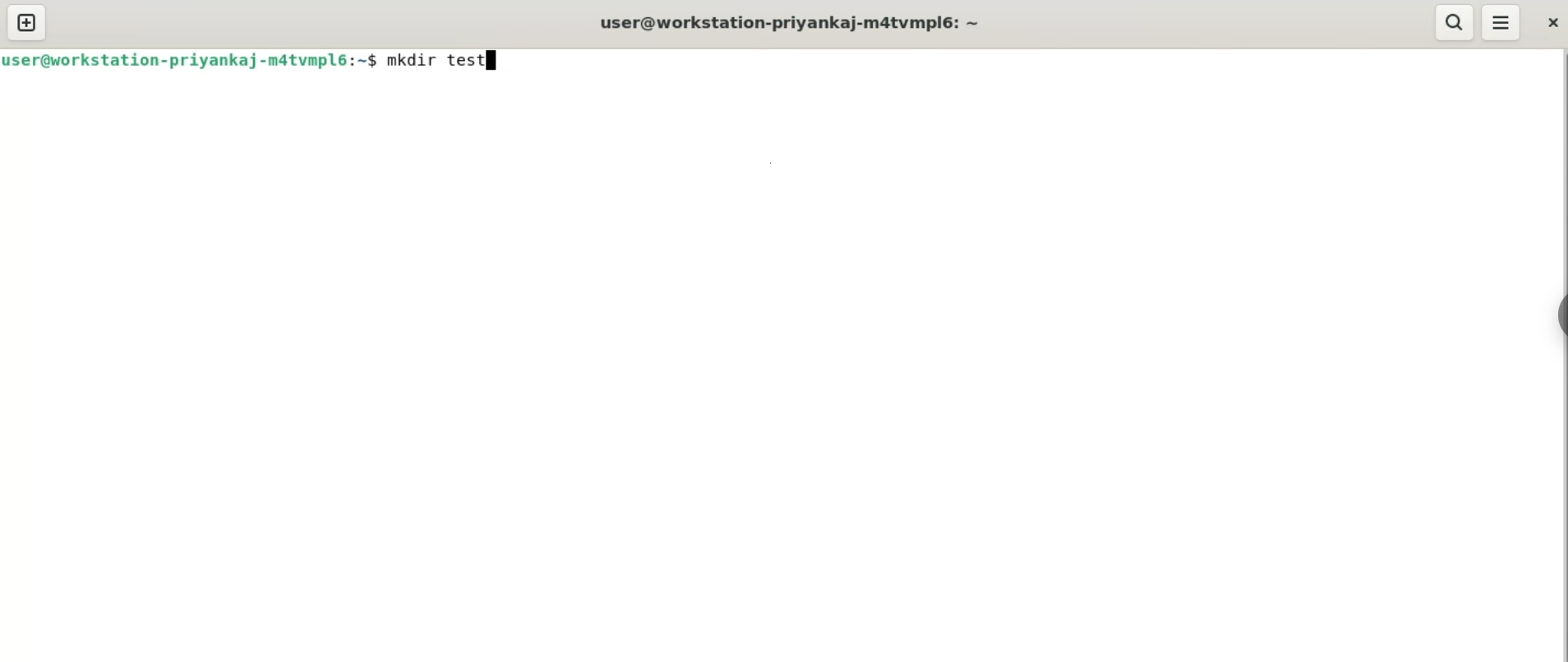  I want to click on cursor, so click(486, 64).